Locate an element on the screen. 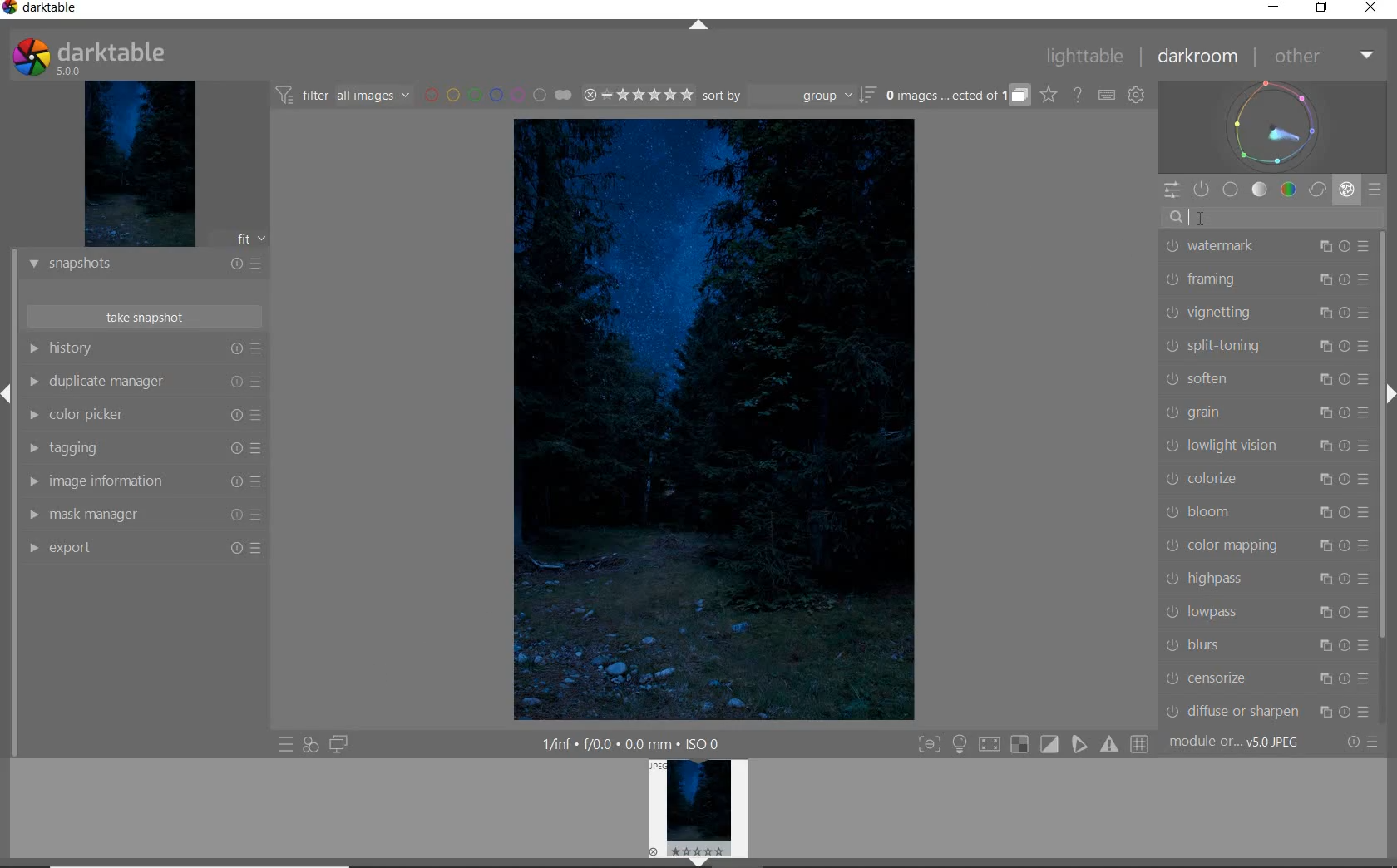 The image size is (1397, 868). 1/inf*f/0.0 mm*ISO 0 is located at coordinates (627, 742).